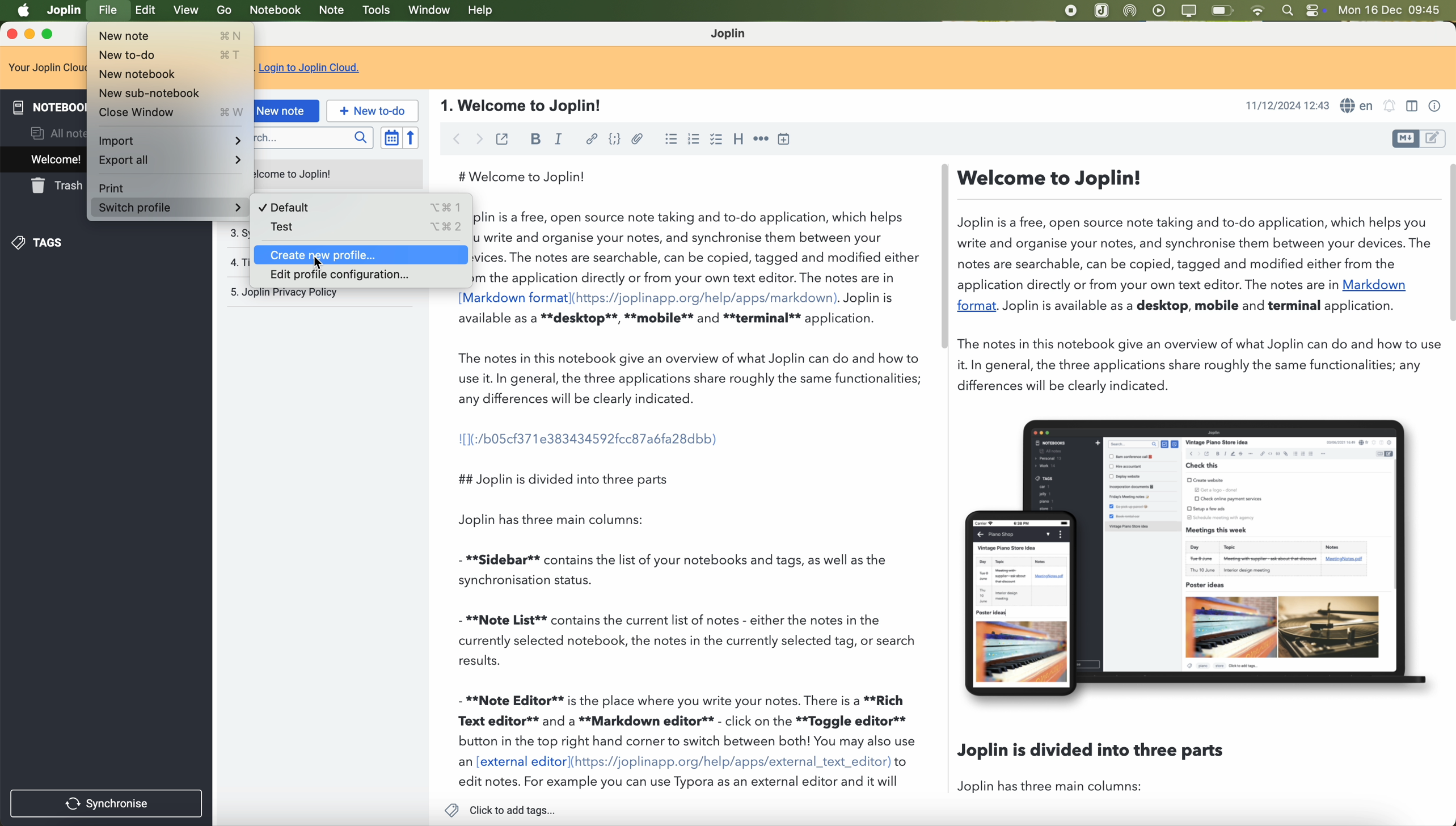  I want to click on click to add tags, so click(500, 810).